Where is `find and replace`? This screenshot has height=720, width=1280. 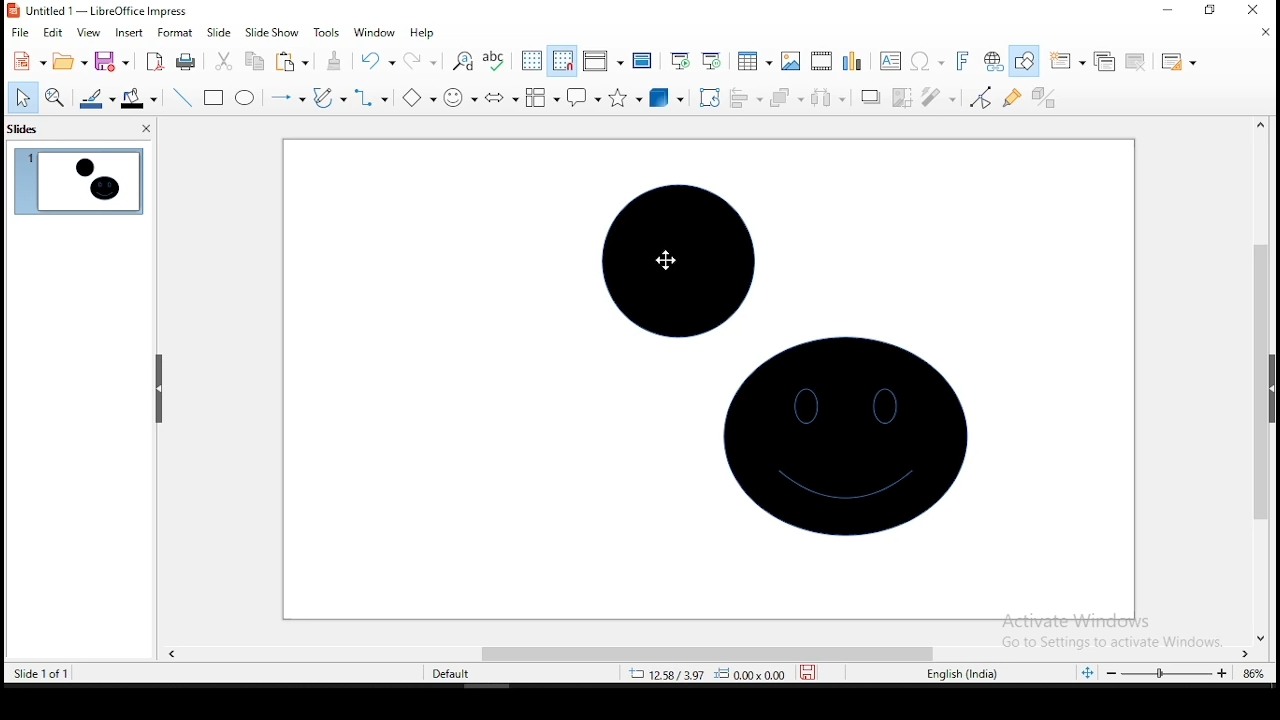
find and replace is located at coordinates (463, 60).